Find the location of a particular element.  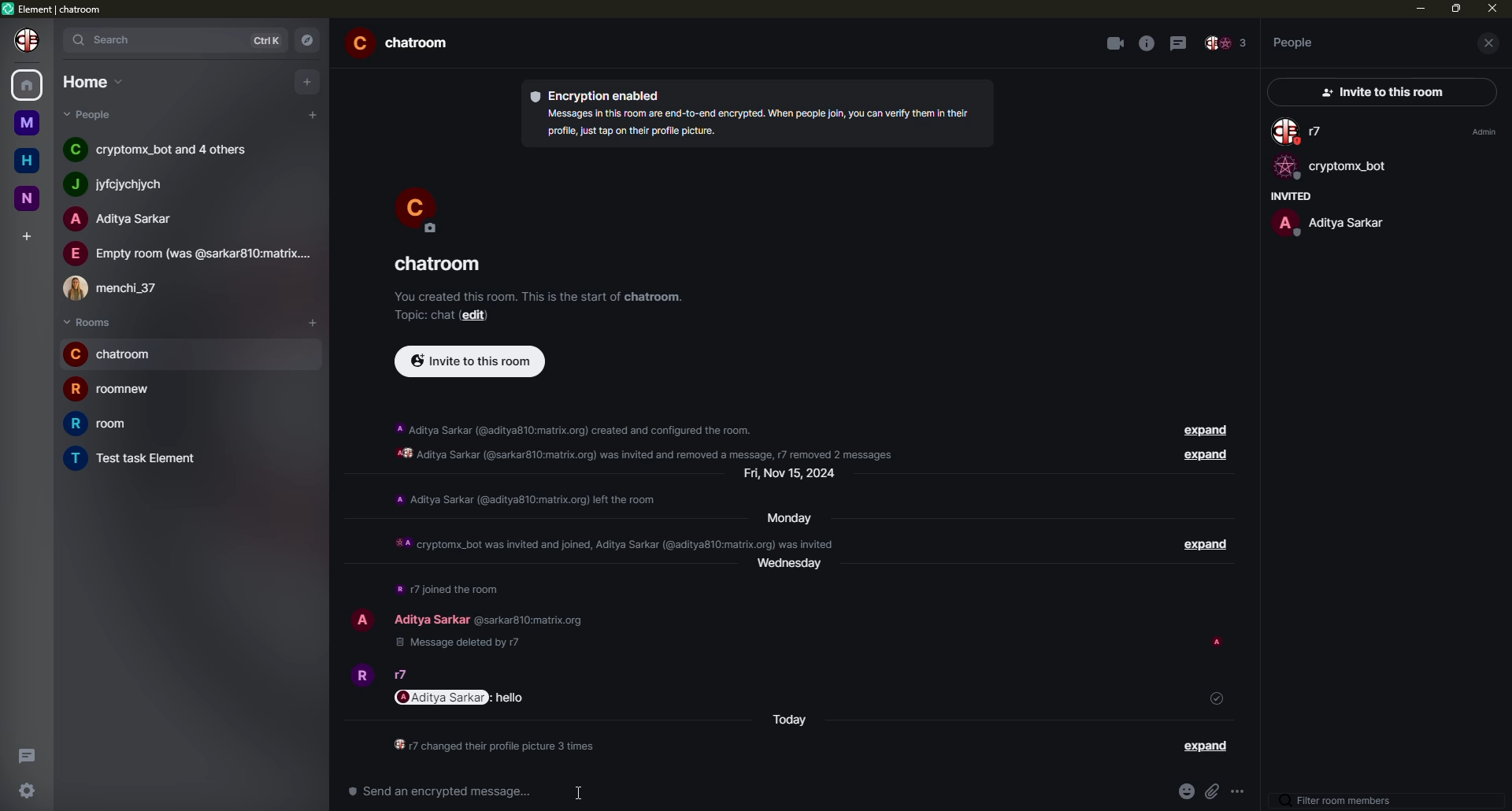

people is located at coordinates (1329, 222).